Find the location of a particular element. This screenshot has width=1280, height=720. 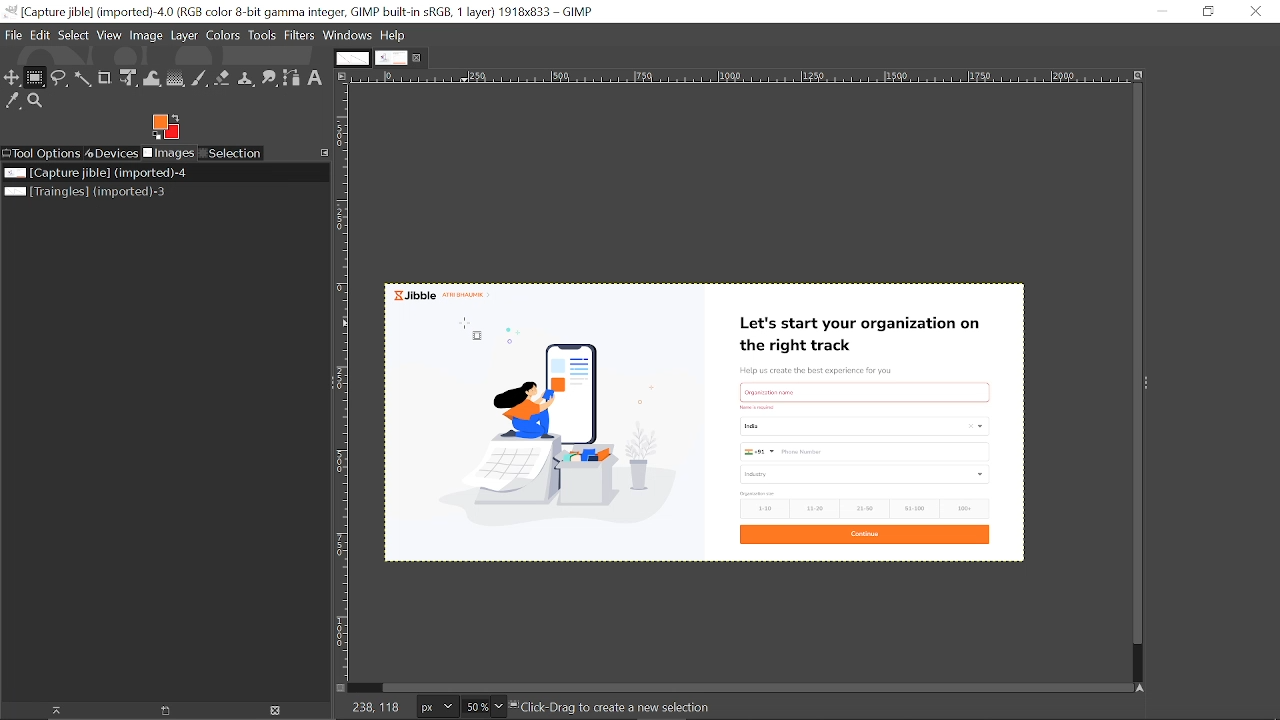

Click-drag to create a new selection is located at coordinates (612, 707).